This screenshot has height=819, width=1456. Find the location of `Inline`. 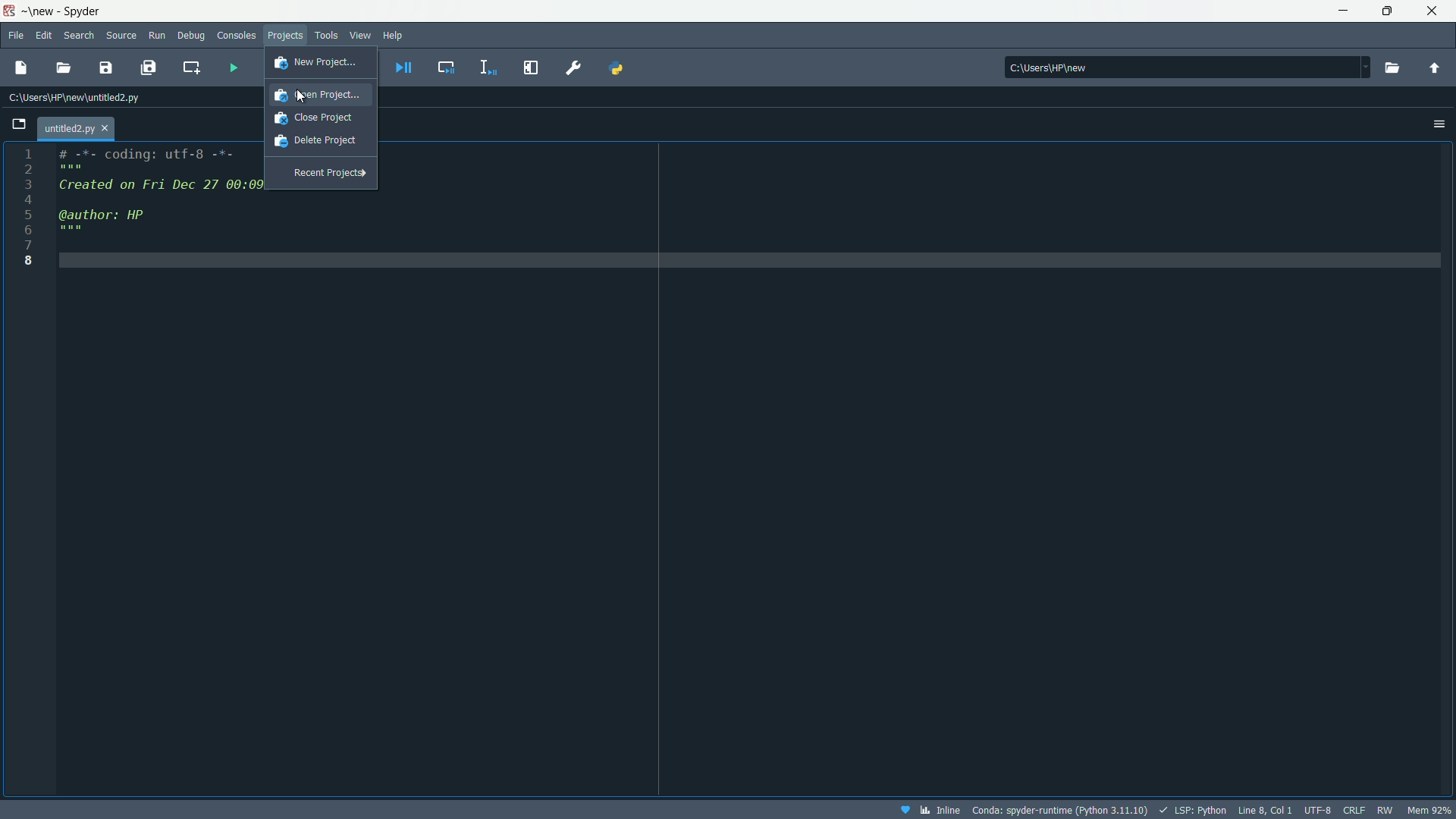

Inline is located at coordinates (930, 809).